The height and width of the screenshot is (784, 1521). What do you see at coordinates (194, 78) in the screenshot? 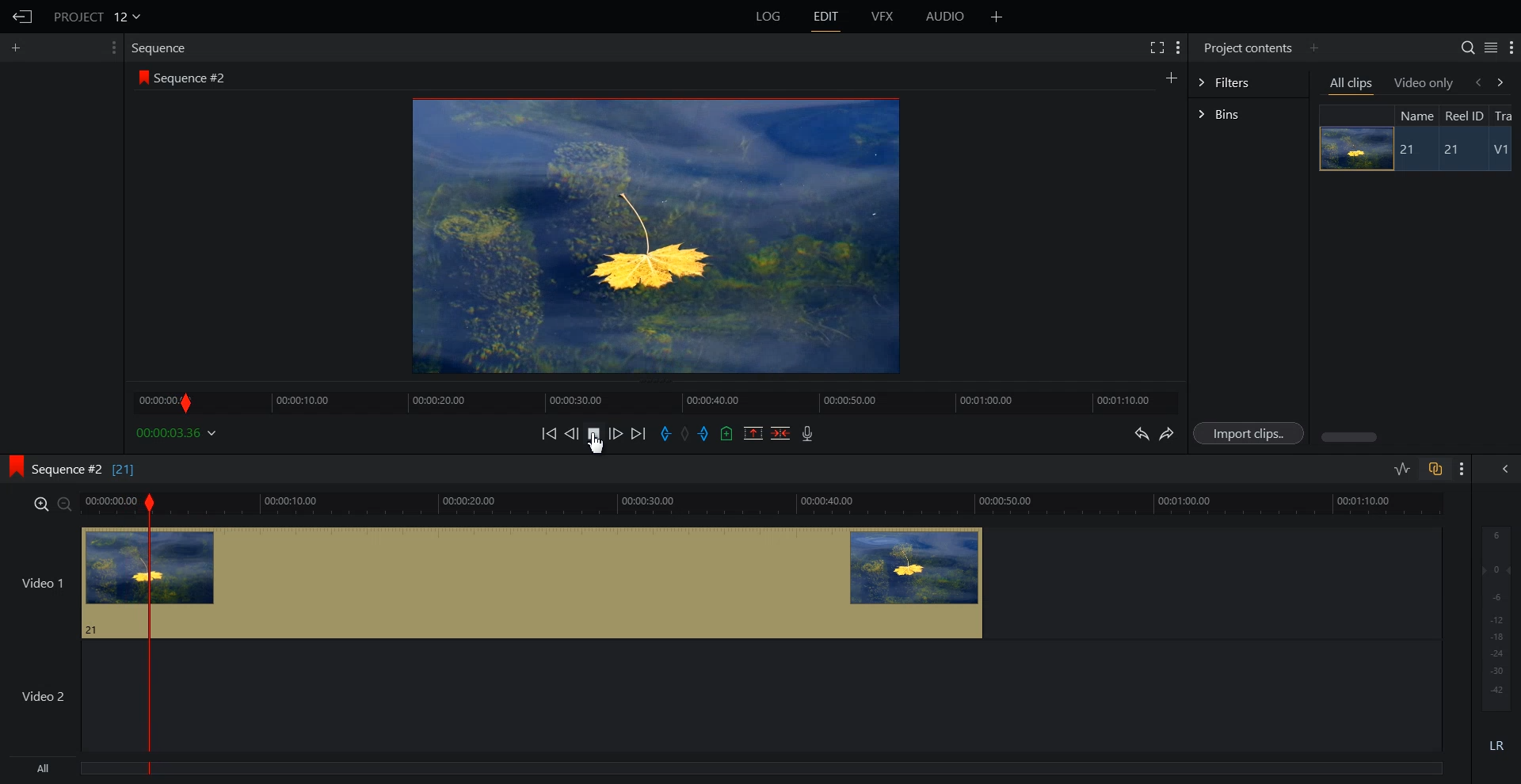
I see `Sequence #2` at bounding box center [194, 78].